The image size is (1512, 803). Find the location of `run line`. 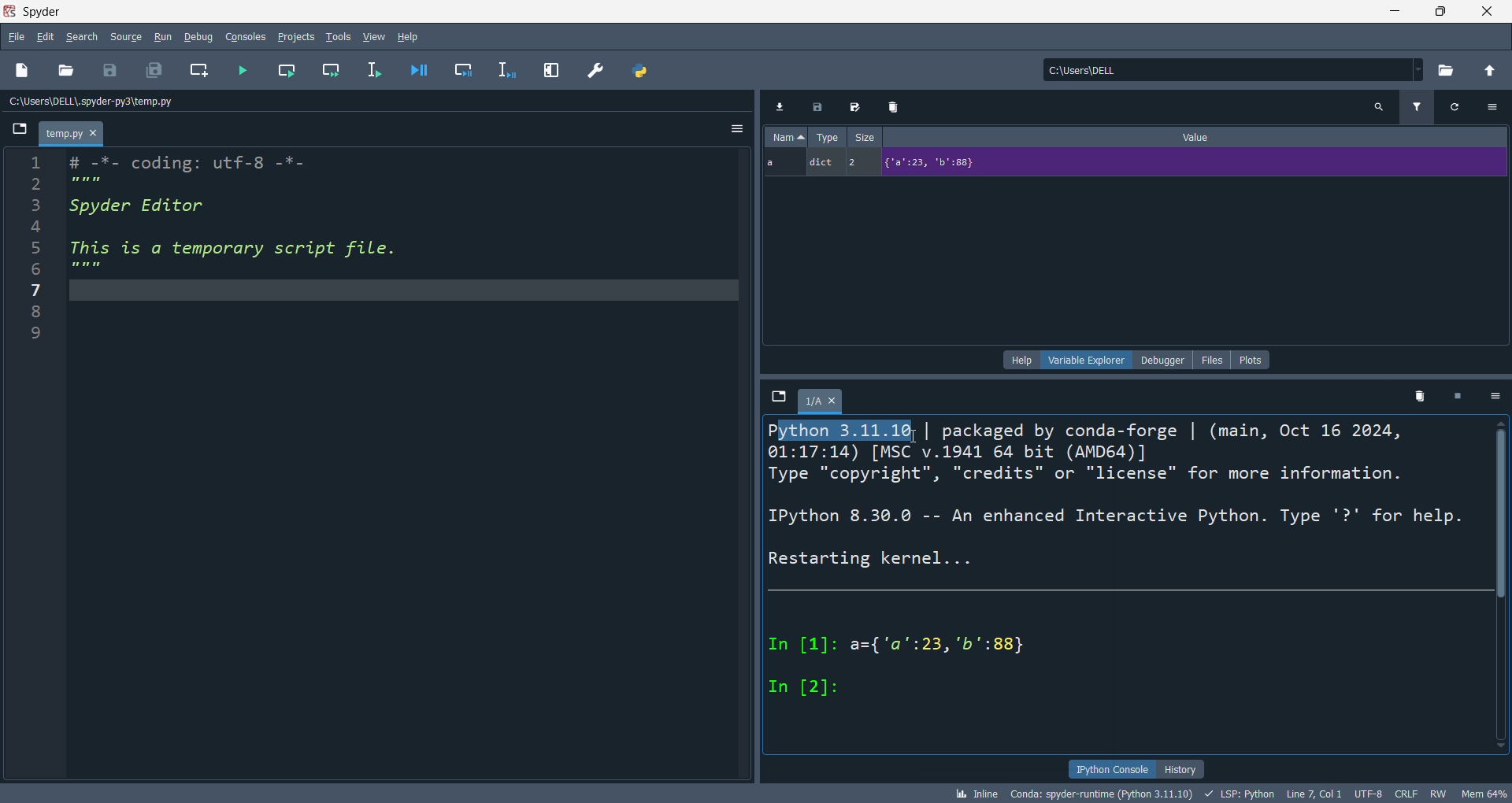

run line is located at coordinates (380, 73).